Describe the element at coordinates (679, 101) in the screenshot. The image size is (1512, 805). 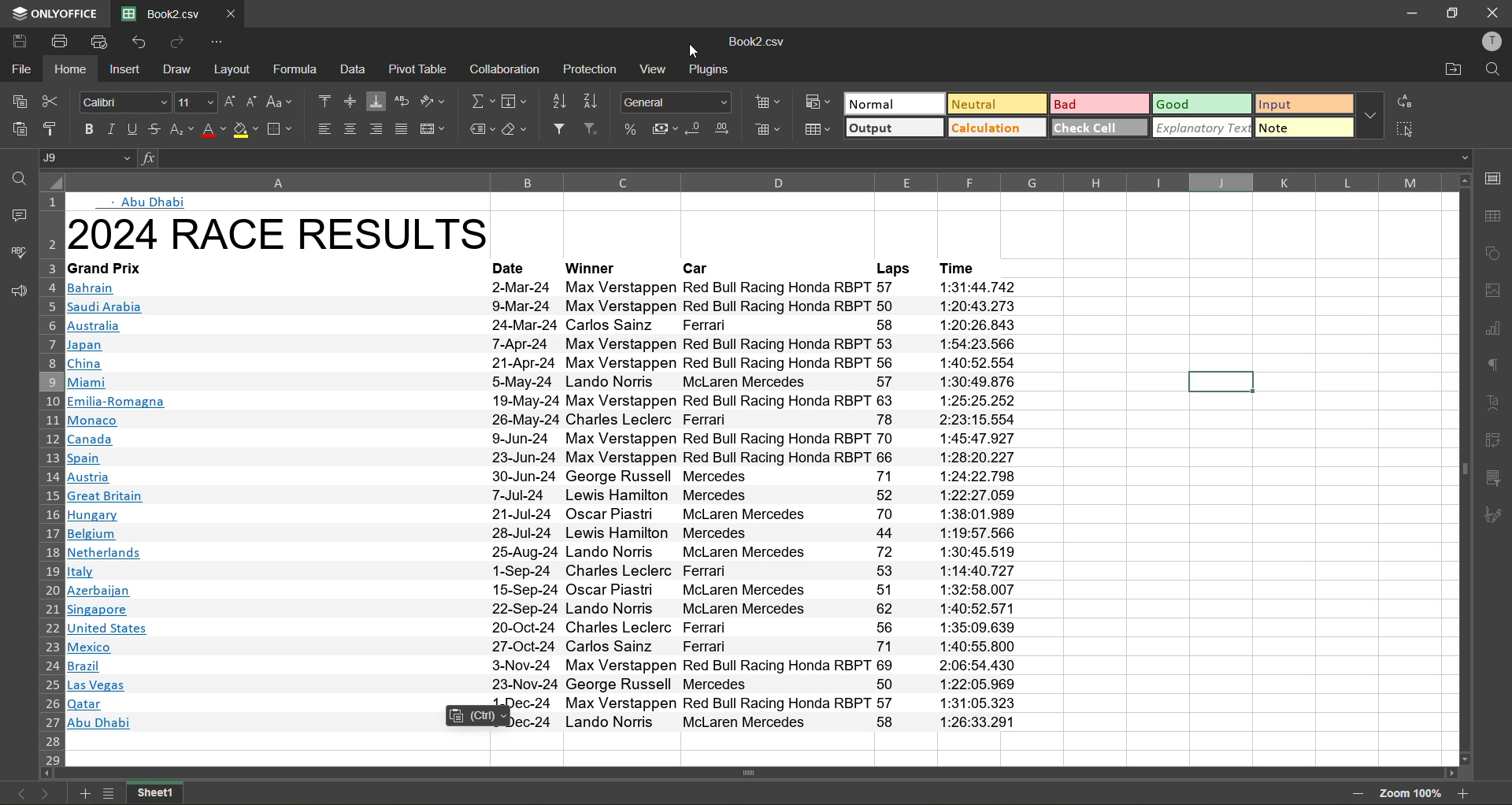
I see `number format` at that location.